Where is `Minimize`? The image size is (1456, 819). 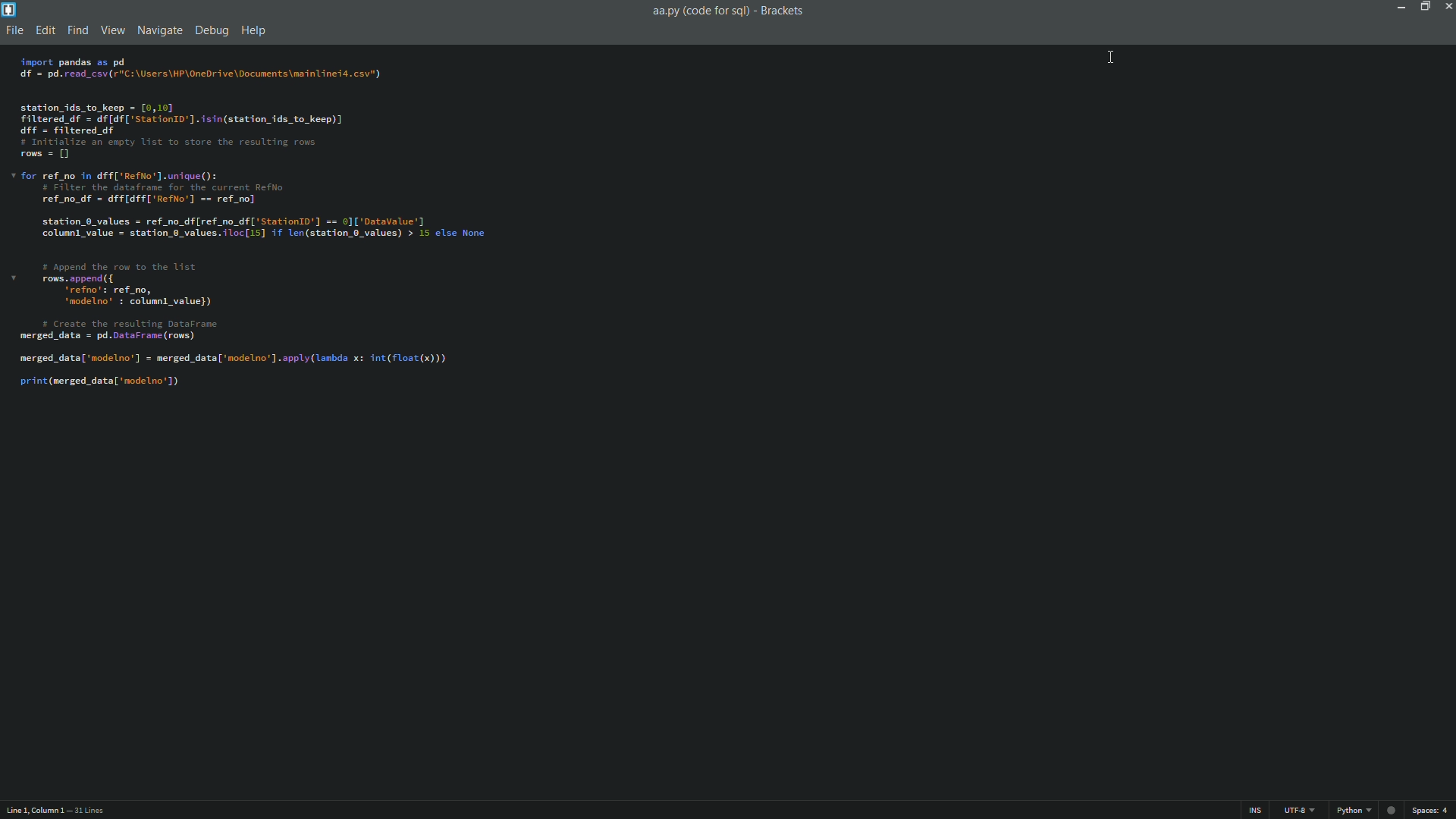 Minimize is located at coordinates (1398, 24).